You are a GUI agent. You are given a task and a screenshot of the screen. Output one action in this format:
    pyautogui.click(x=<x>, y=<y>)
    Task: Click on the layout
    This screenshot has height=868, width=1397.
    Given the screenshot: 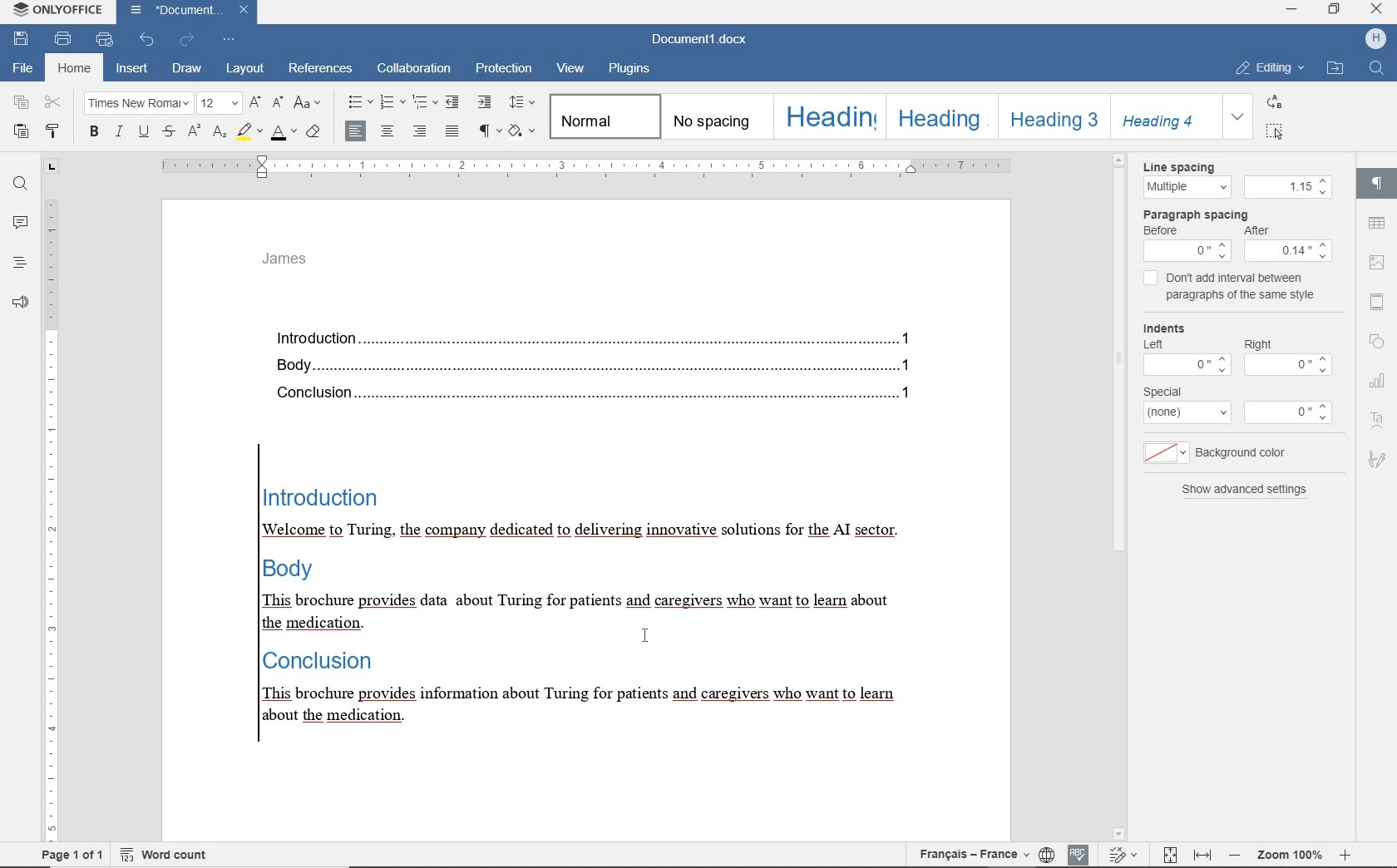 What is the action you would take?
    pyautogui.click(x=243, y=70)
    